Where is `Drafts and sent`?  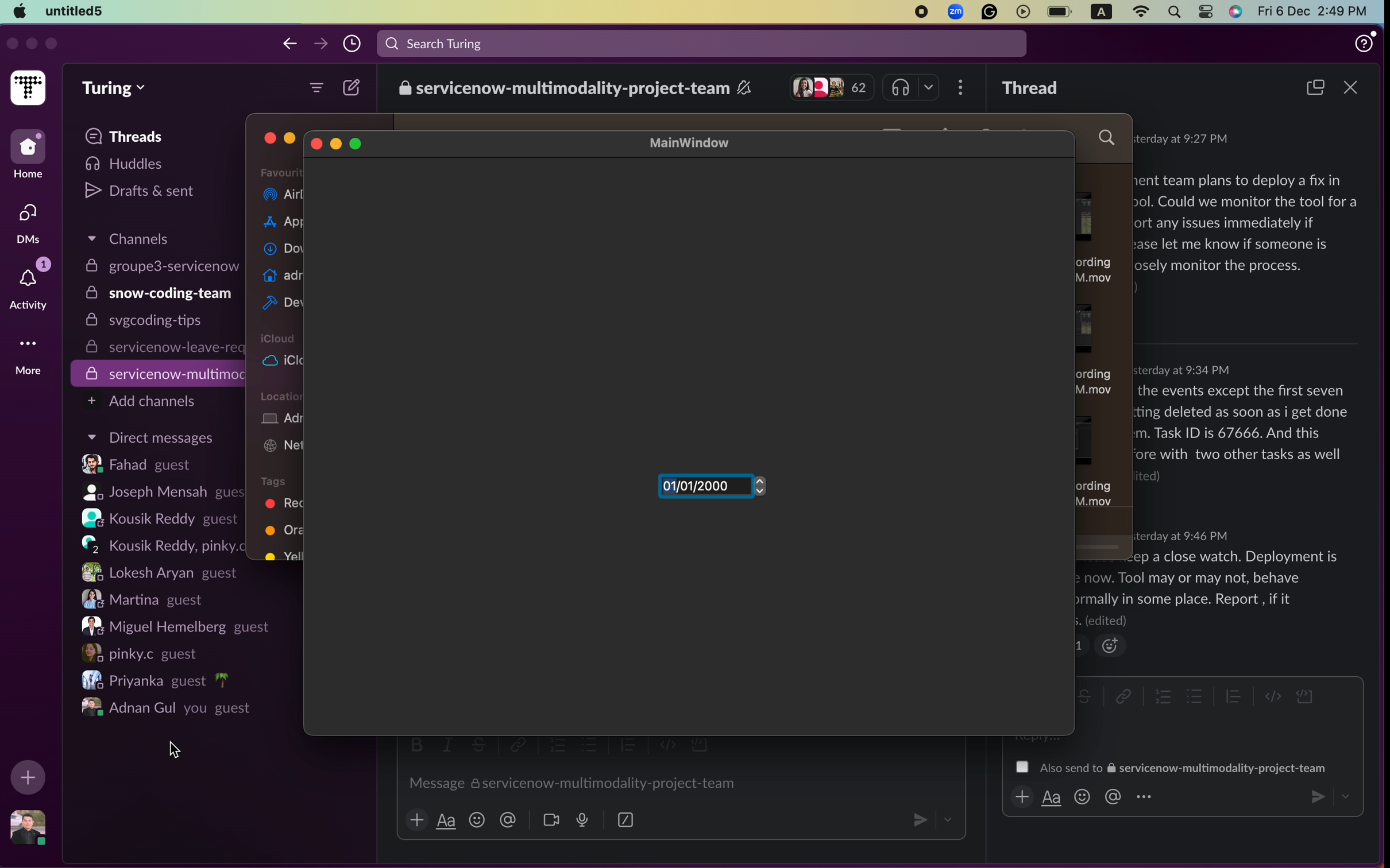 Drafts and sent is located at coordinates (143, 191).